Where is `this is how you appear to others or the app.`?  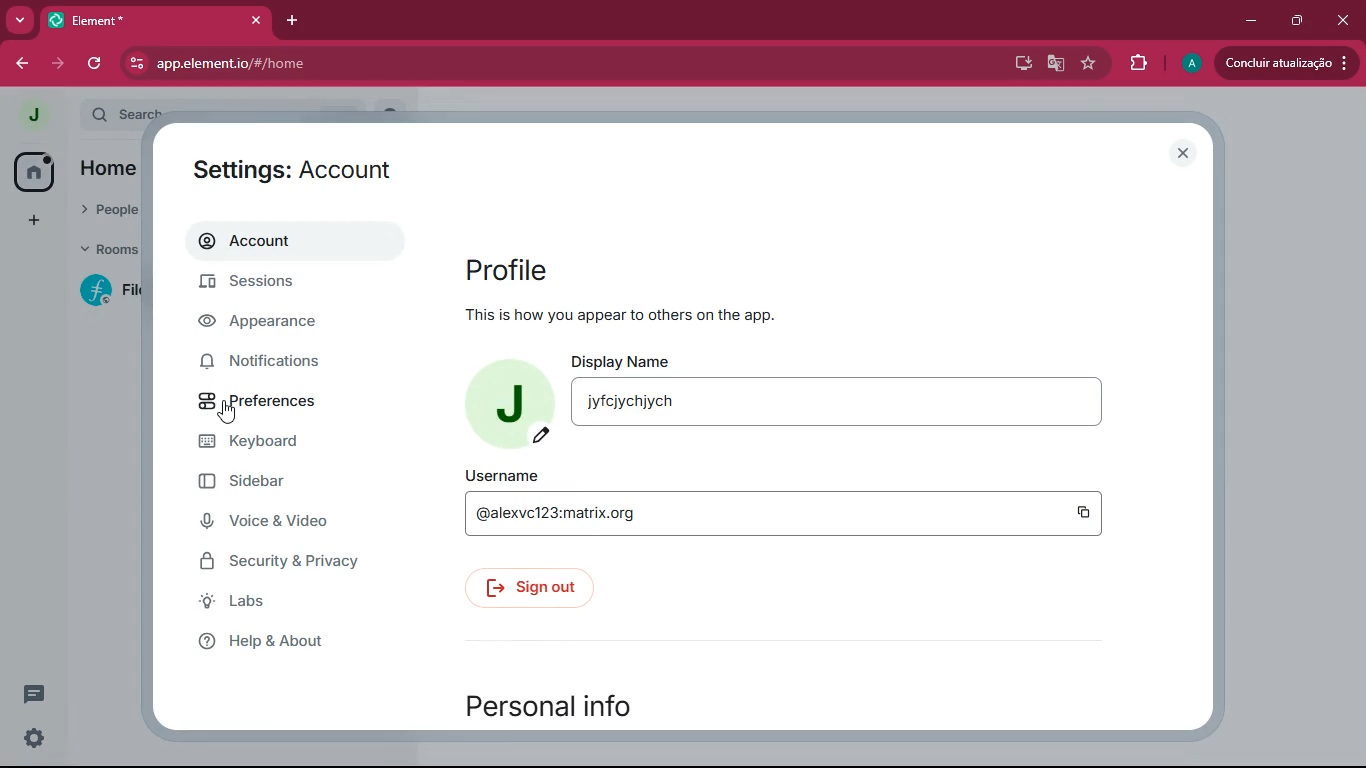
this is how you appear to others or the app. is located at coordinates (656, 313).